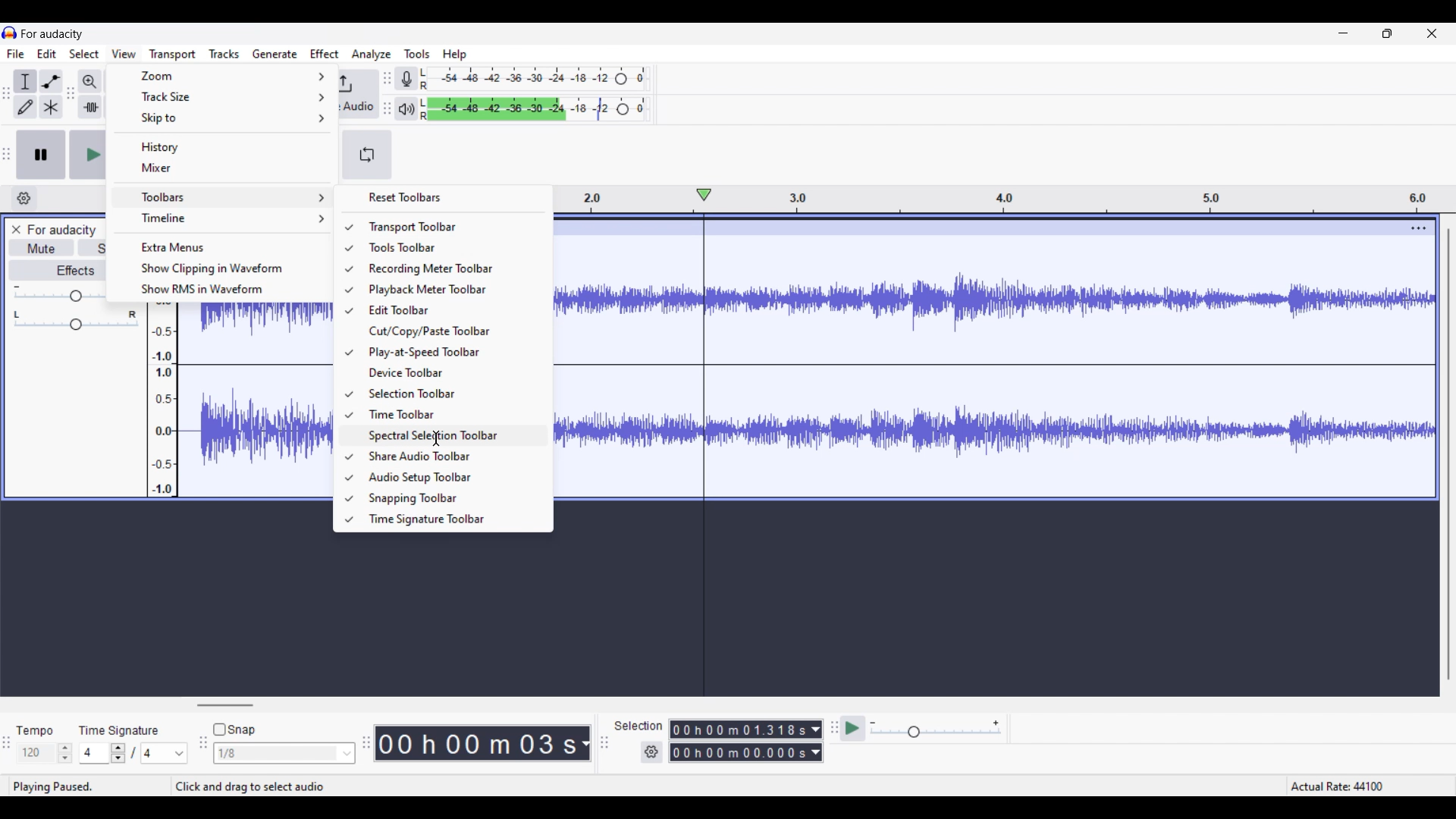 The image size is (1456, 819). Describe the element at coordinates (133, 752) in the screenshot. I see `Time signature settings` at that location.